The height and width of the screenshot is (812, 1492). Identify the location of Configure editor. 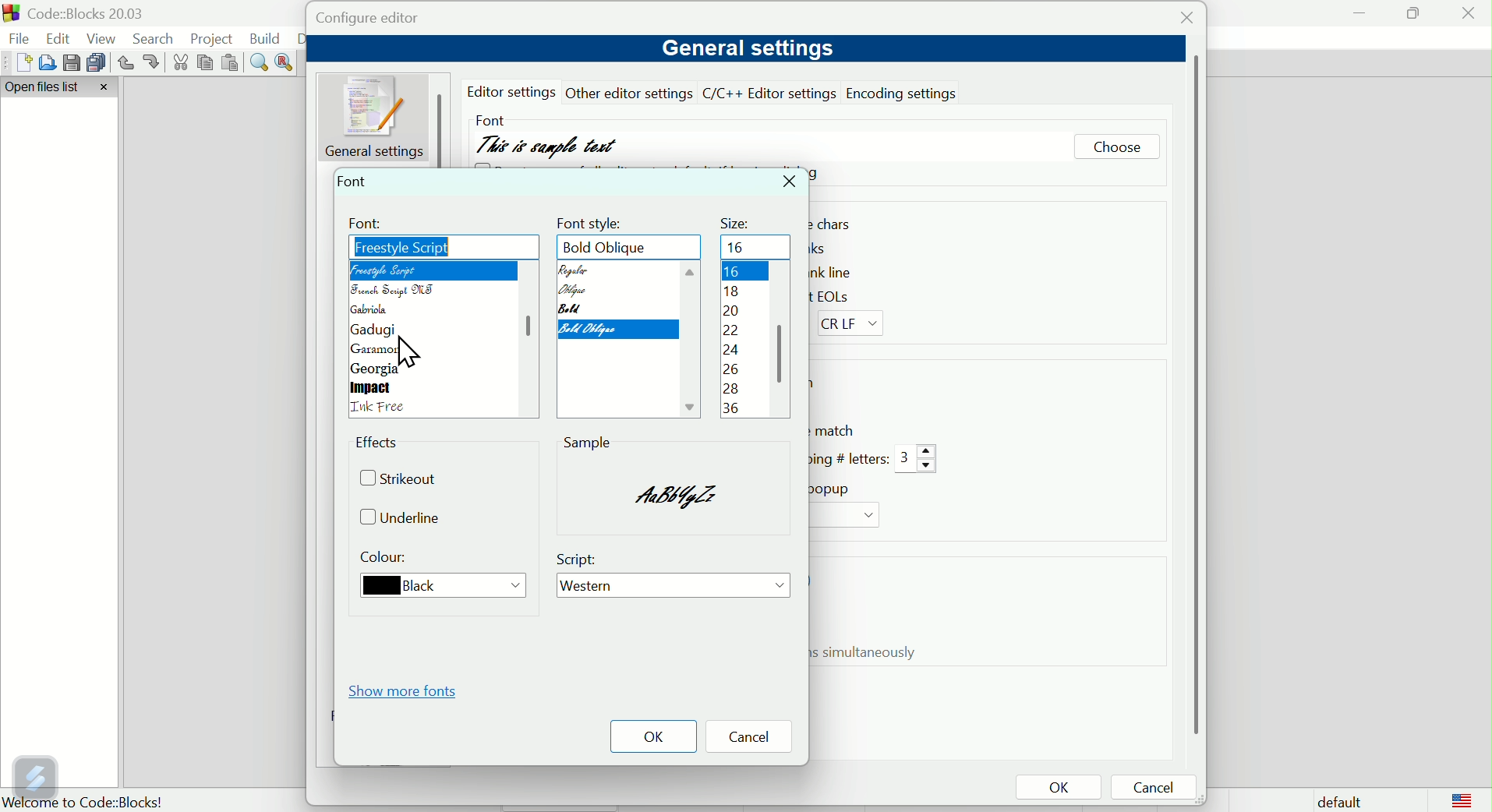
(384, 19).